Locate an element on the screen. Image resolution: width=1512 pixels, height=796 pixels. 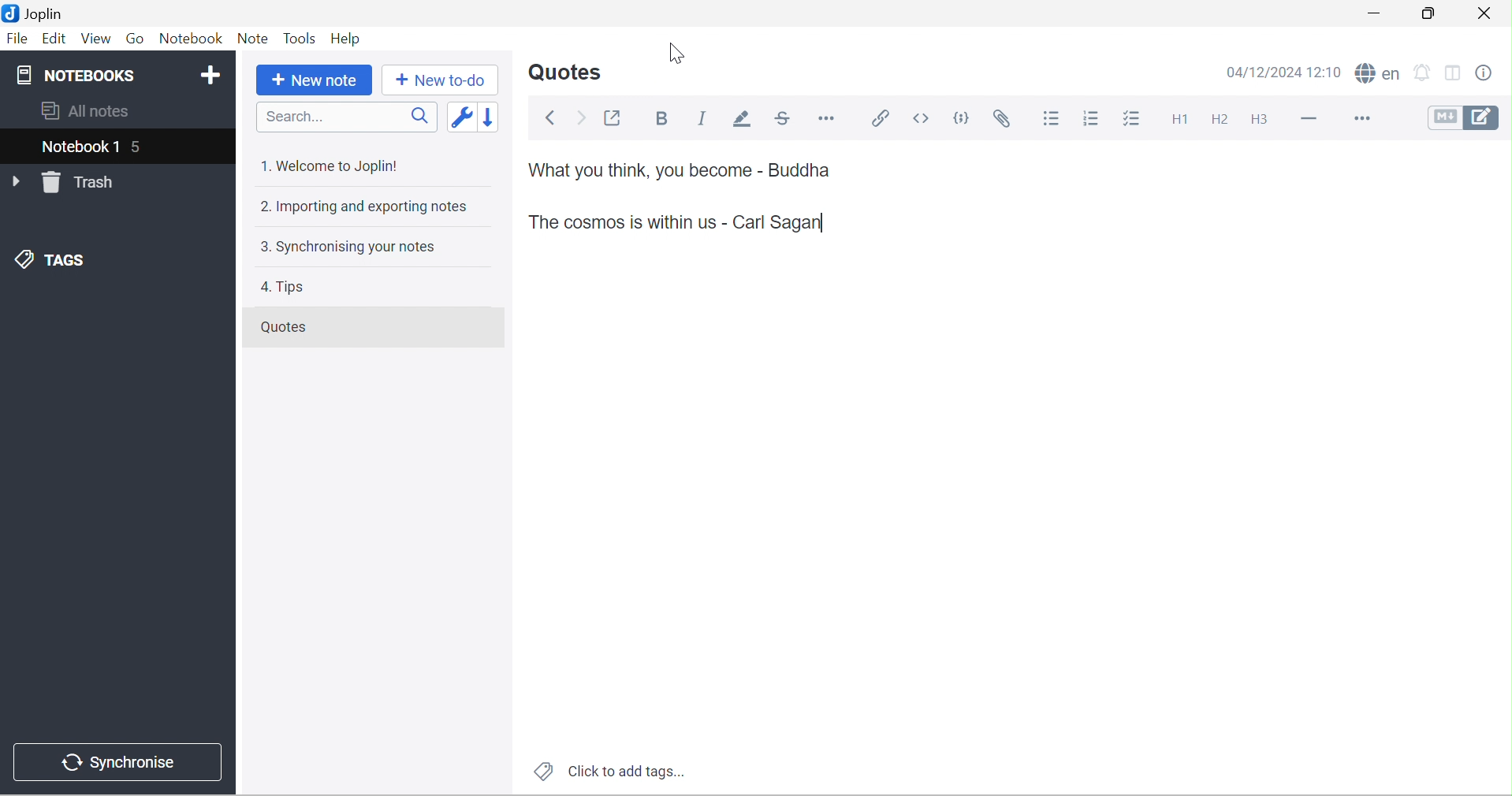
Bold is located at coordinates (664, 119).